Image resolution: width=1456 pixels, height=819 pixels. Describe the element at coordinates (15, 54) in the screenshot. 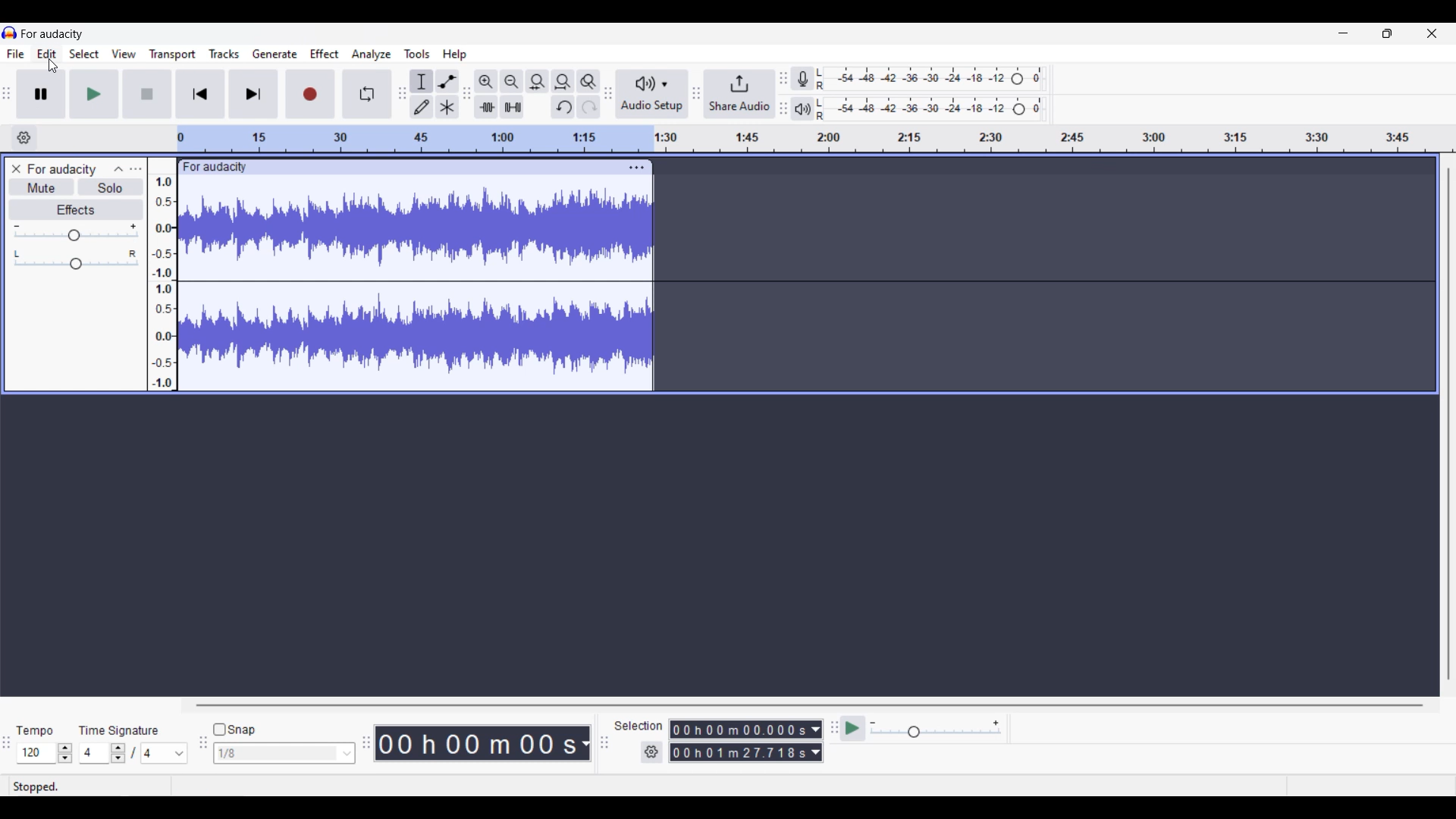

I see `File menu` at that location.